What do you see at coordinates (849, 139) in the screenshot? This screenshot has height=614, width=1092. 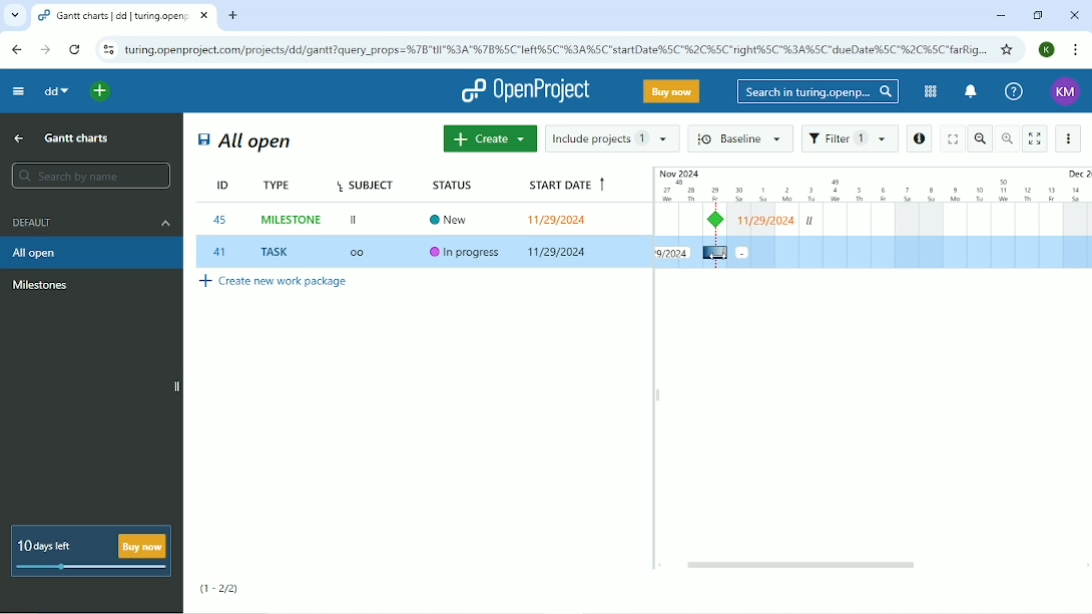 I see `Filter` at bounding box center [849, 139].